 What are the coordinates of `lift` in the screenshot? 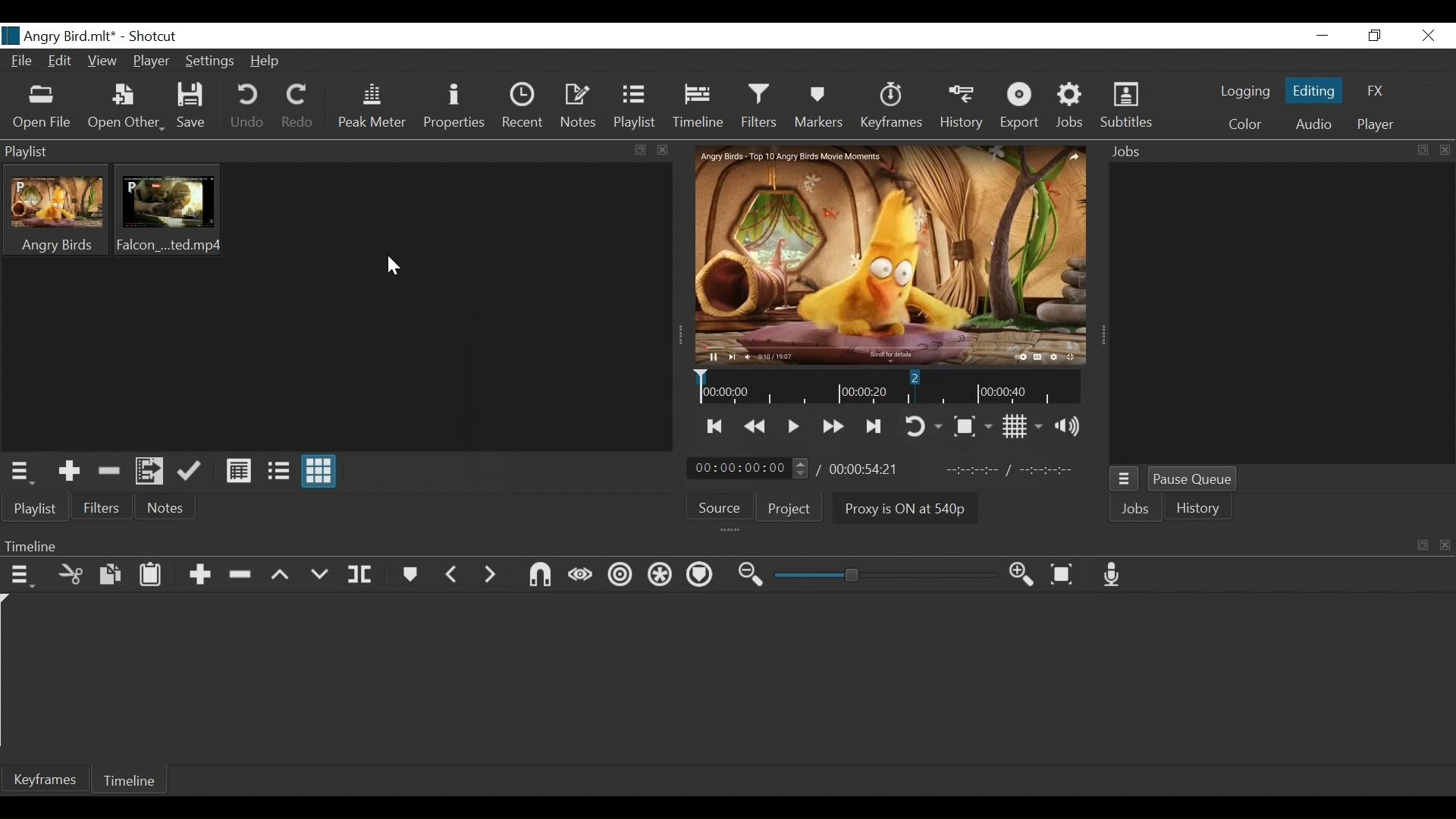 It's located at (279, 575).